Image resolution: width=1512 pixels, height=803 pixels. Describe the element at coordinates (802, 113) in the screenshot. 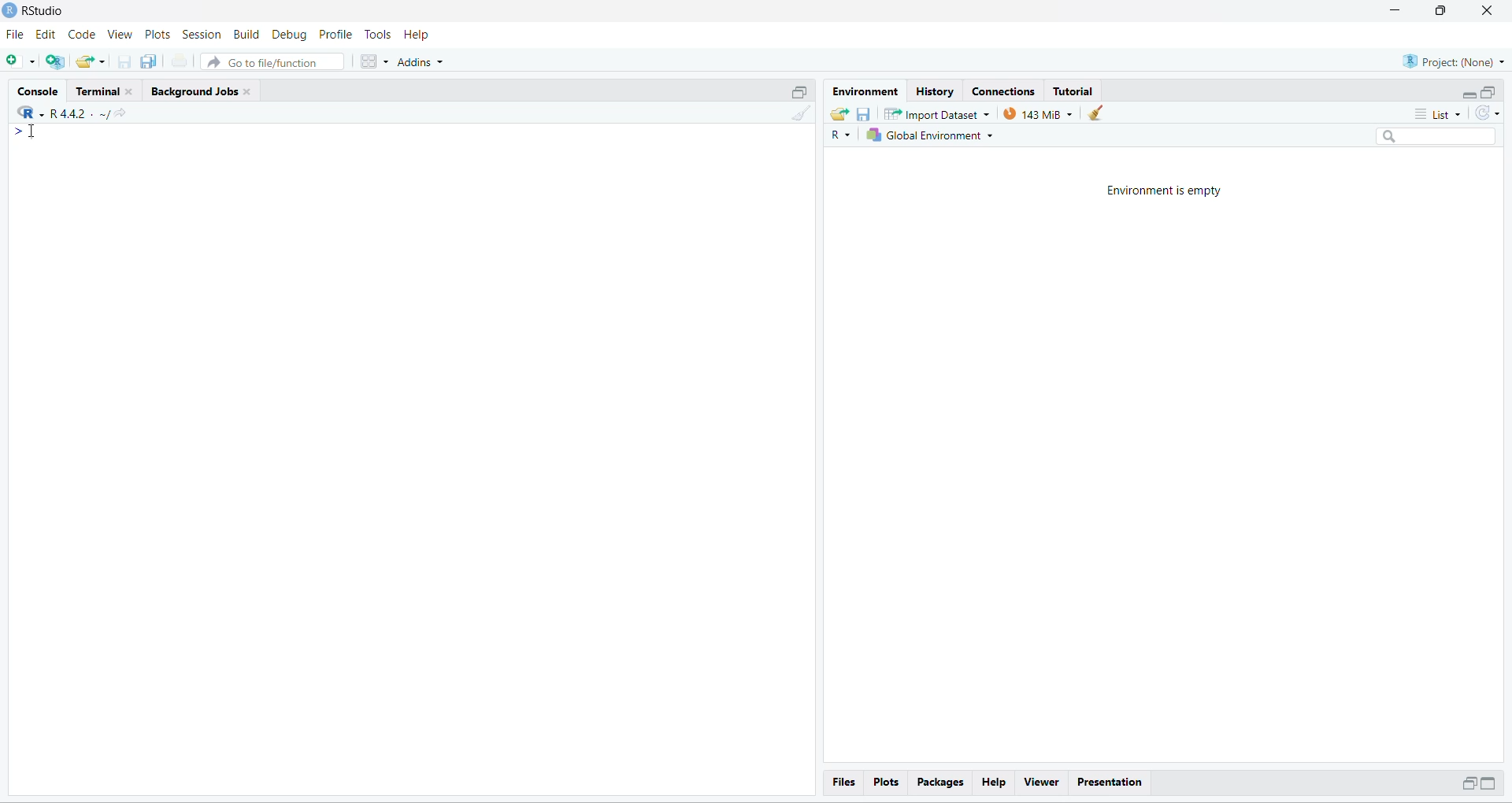

I see `clean` at that location.